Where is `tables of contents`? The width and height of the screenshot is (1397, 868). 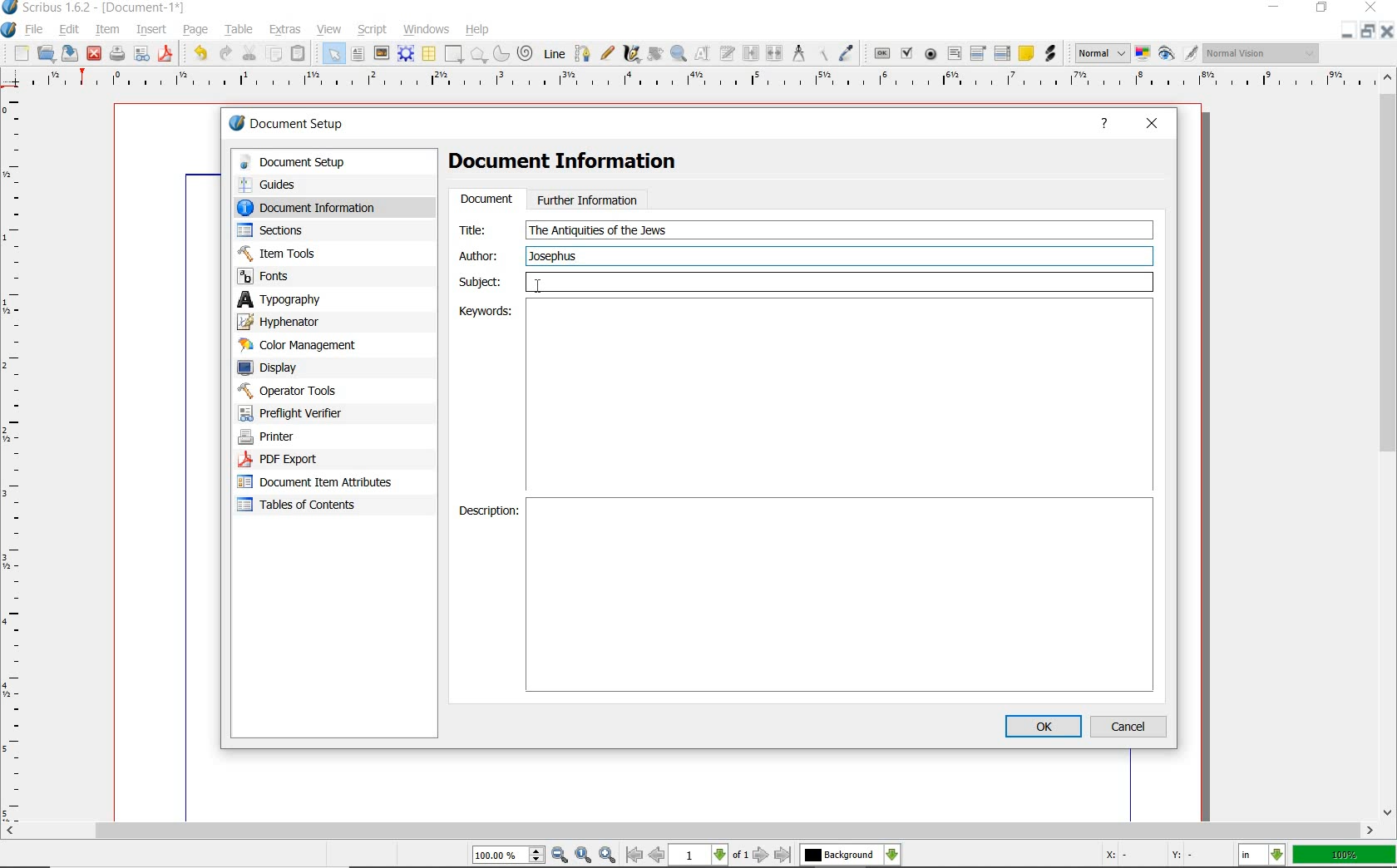
tables of contents is located at coordinates (308, 506).